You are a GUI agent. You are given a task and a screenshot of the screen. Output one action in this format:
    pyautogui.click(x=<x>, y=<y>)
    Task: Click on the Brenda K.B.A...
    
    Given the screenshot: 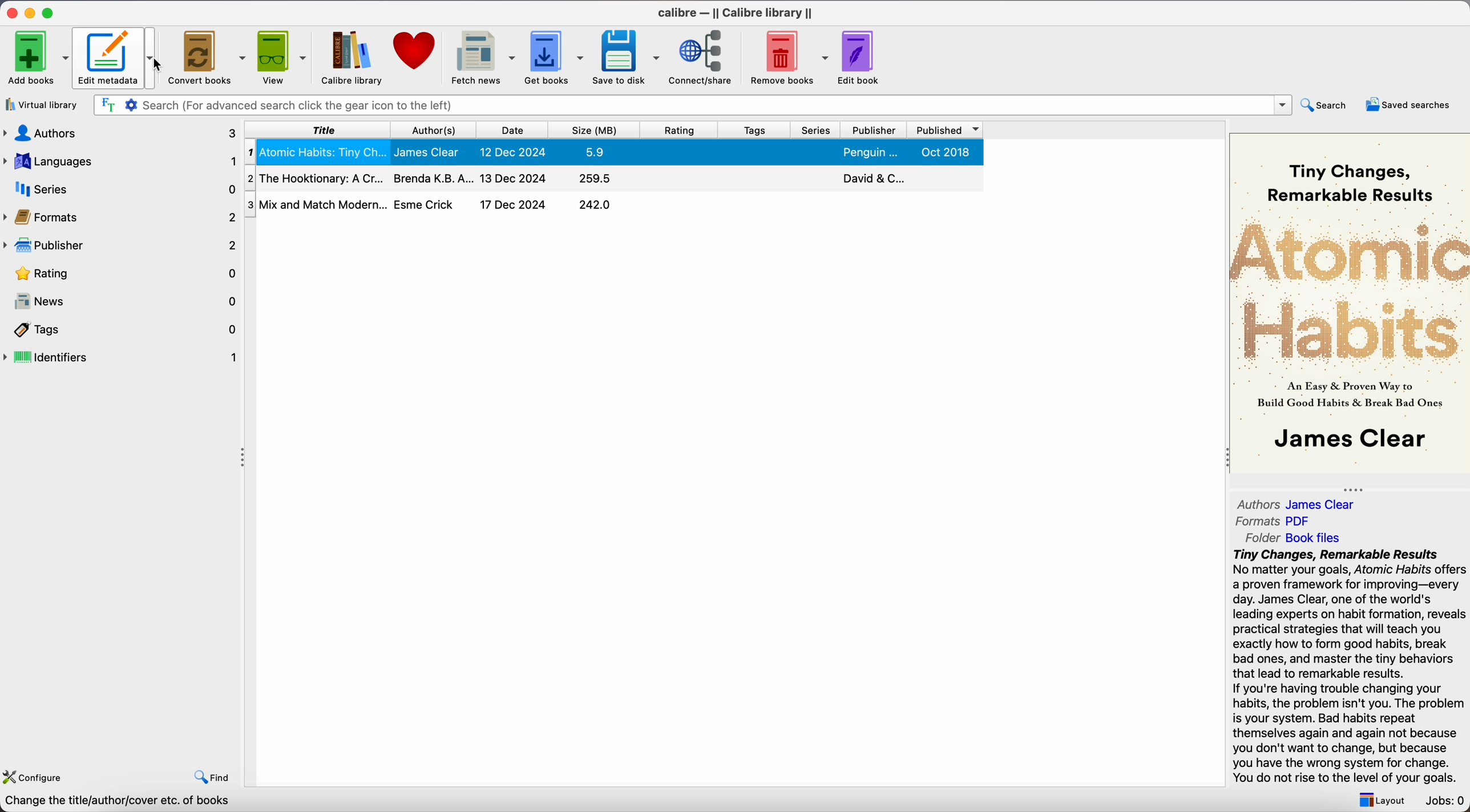 What is the action you would take?
    pyautogui.click(x=433, y=179)
    